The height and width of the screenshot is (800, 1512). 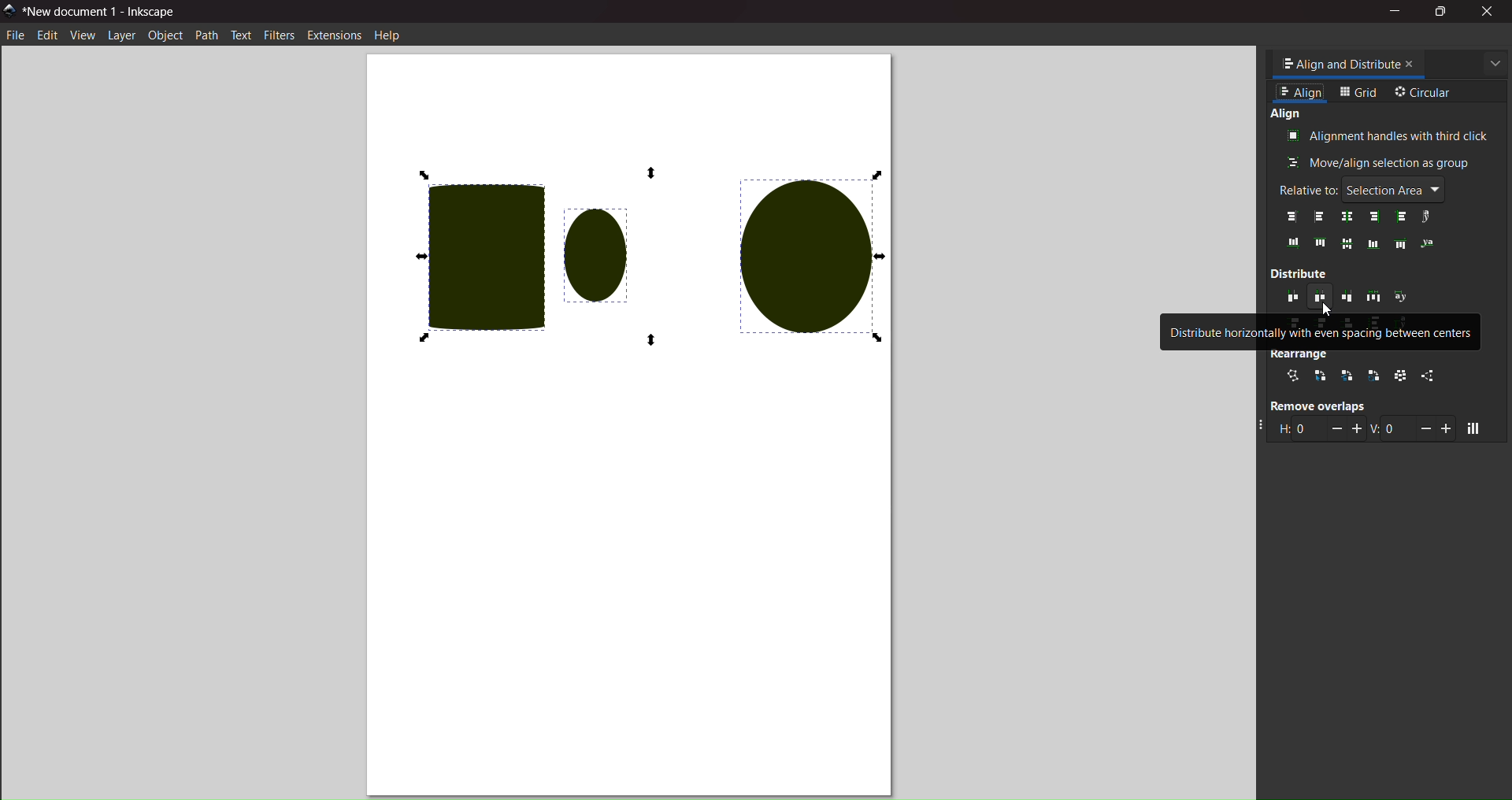 What do you see at coordinates (1425, 93) in the screenshot?
I see `circular` at bounding box center [1425, 93].